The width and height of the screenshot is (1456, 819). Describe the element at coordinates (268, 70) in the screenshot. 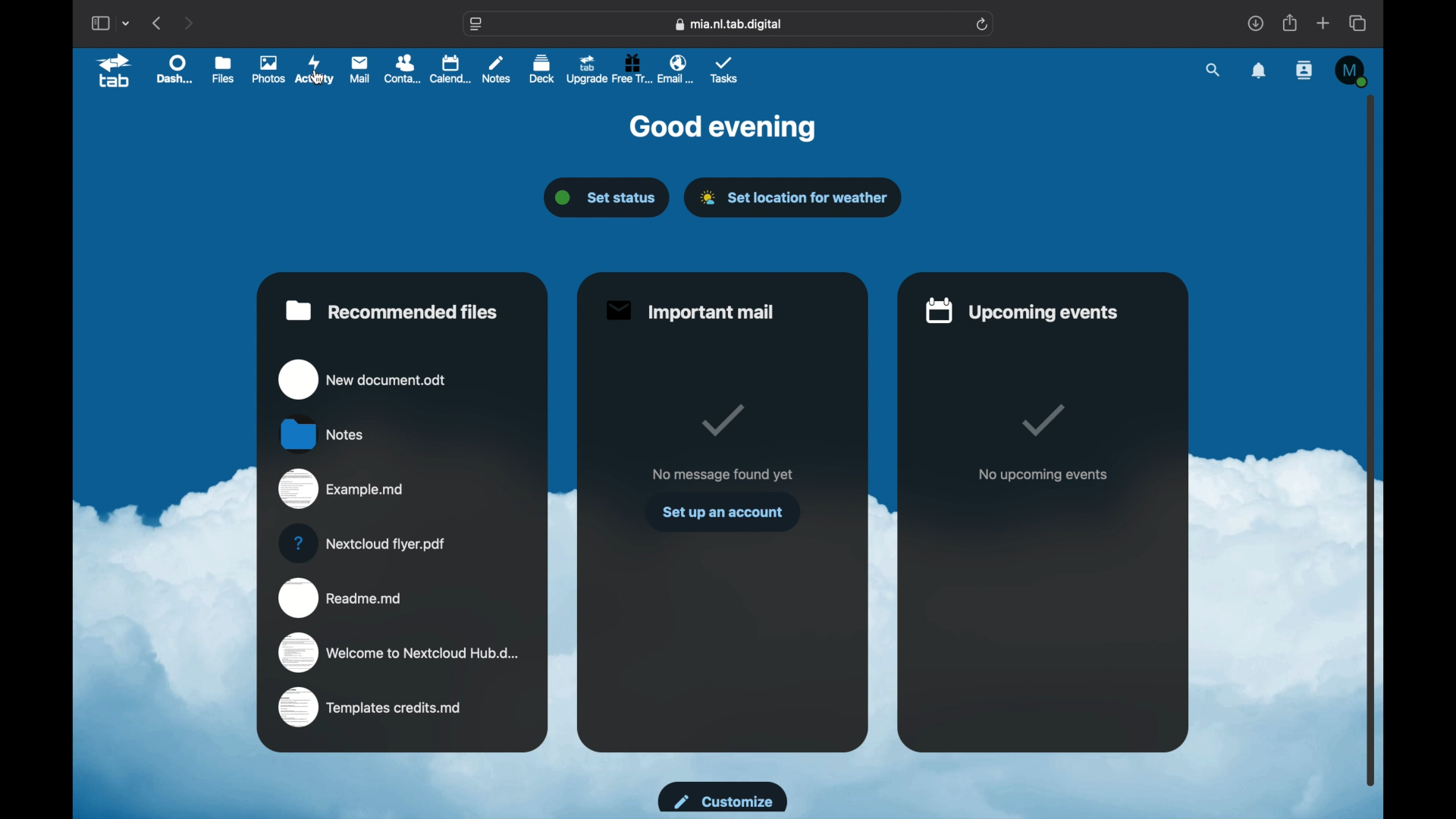

I see `photos` at that location.